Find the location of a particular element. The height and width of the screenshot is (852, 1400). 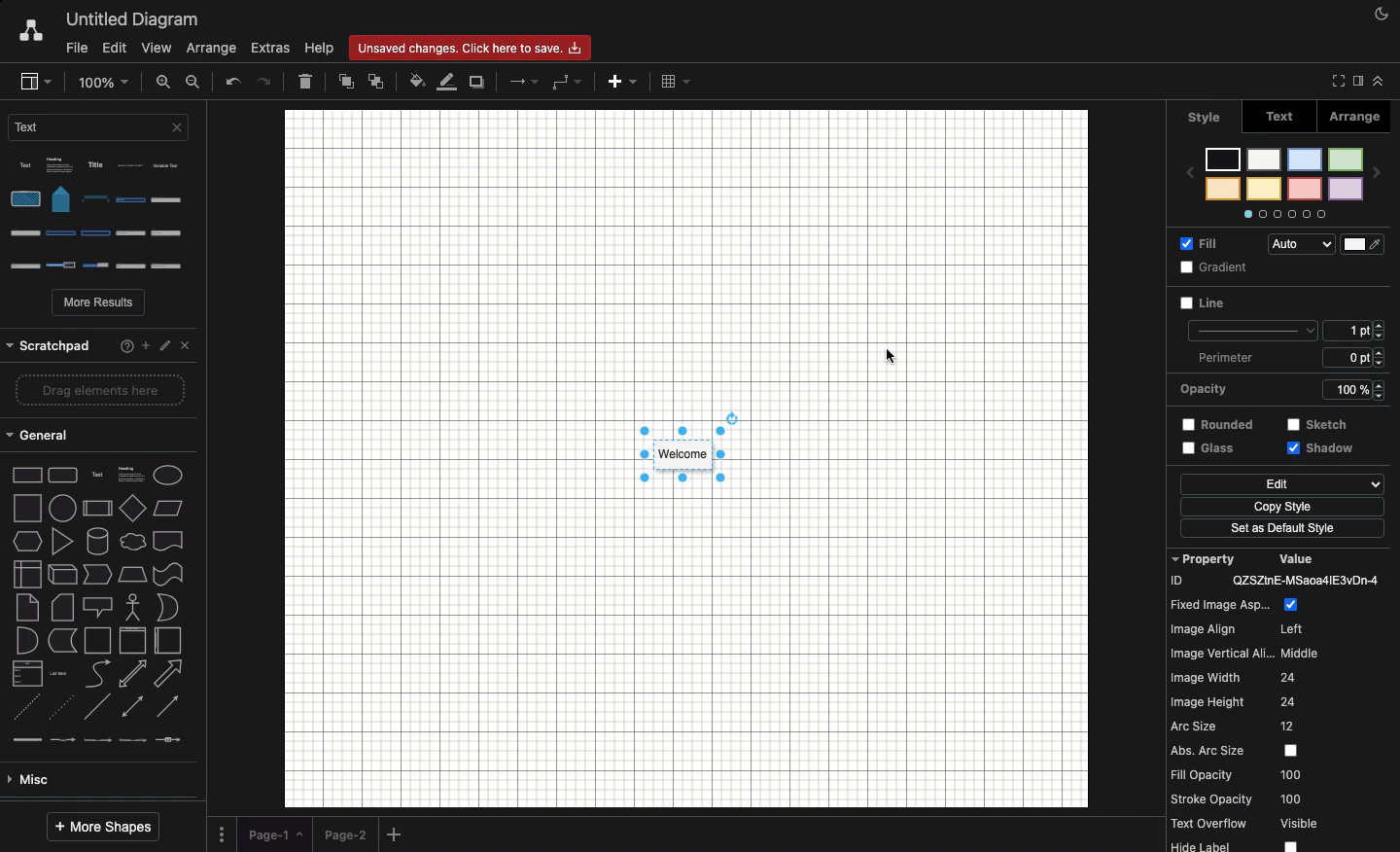

Table is located at coordinates (675, 81).